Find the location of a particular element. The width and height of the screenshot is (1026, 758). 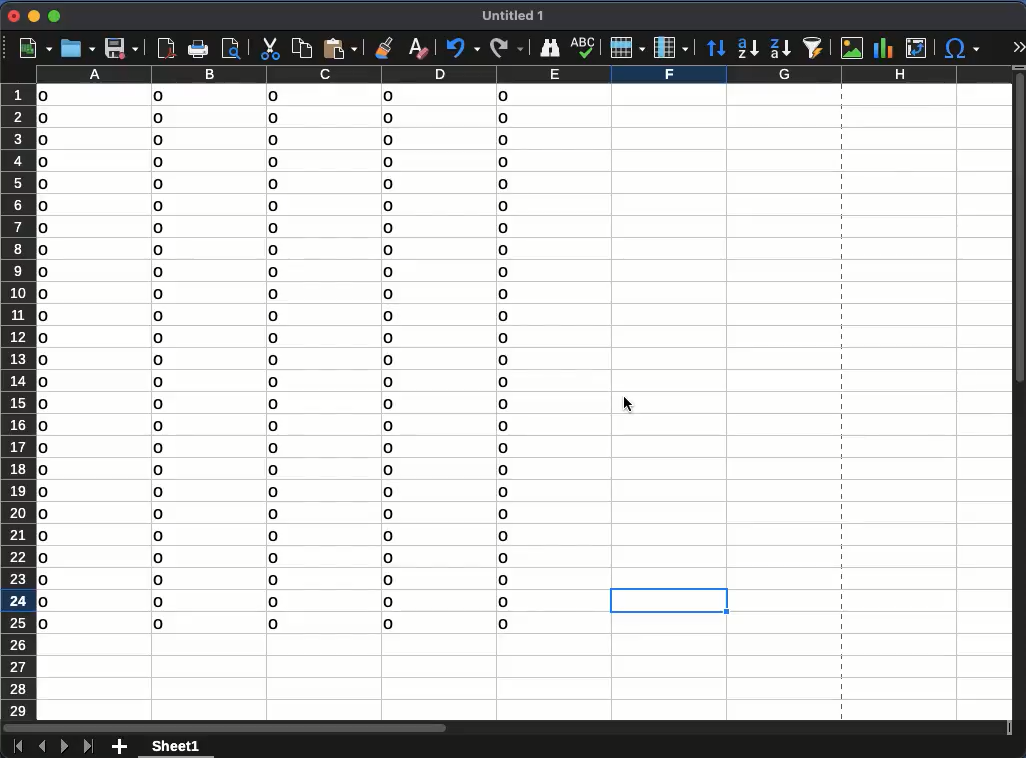

finder is located at coordinates (550, 47).